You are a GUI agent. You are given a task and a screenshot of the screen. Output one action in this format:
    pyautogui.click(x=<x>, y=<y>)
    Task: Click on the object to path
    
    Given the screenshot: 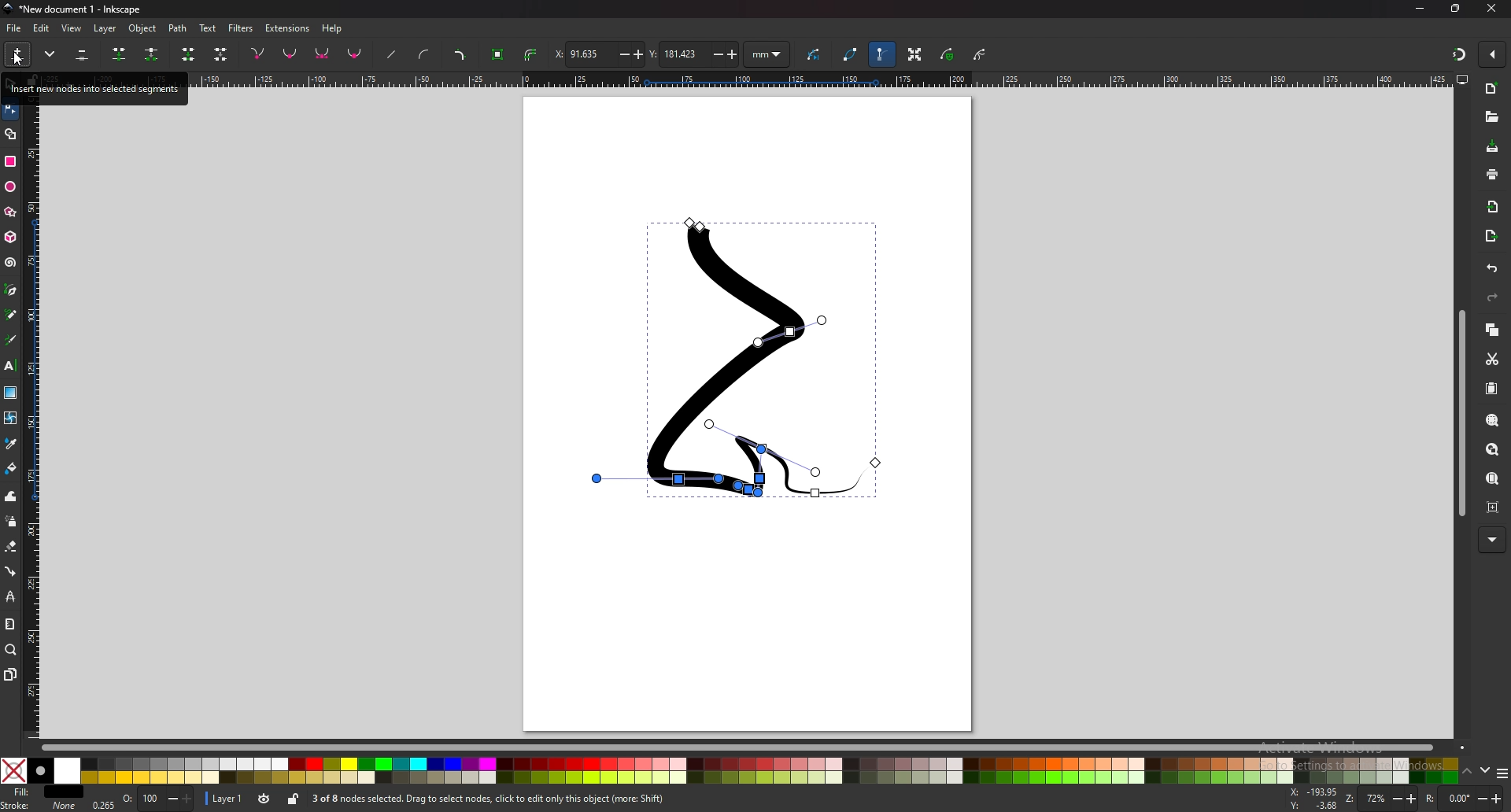 What is the action you would take?
    pyautogui.click(x=498, y=55)
    